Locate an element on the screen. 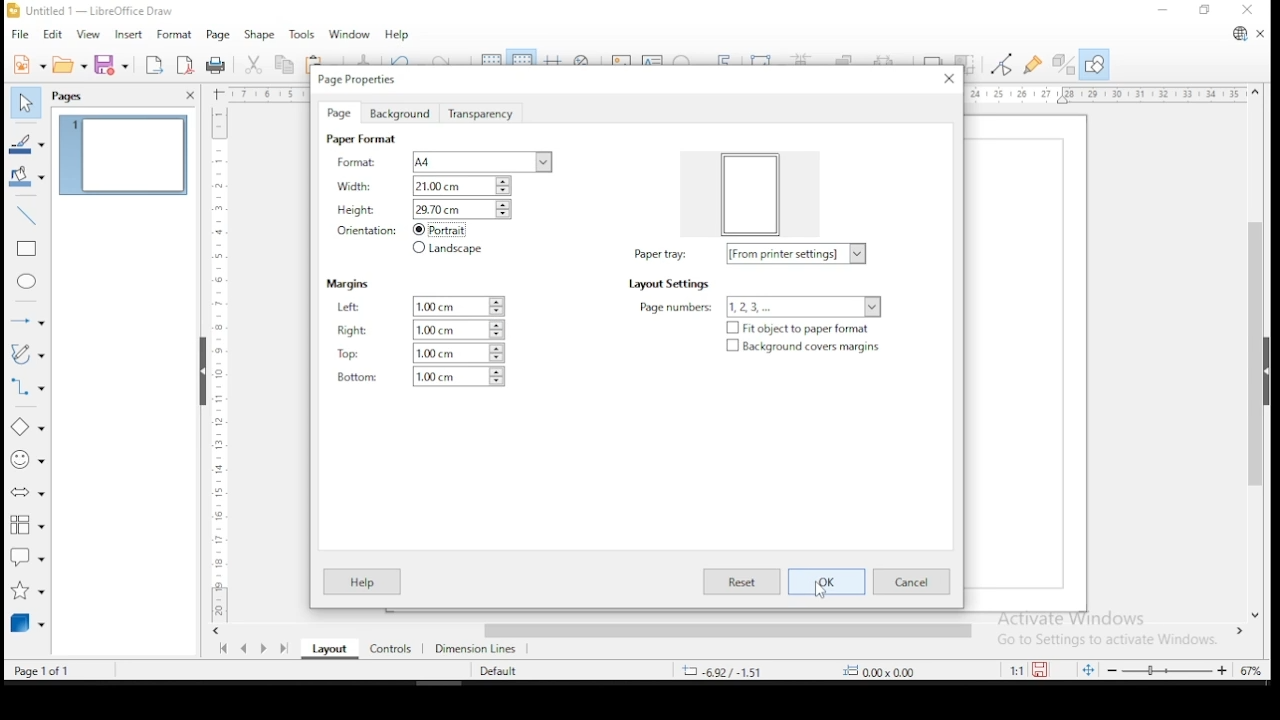  align objects is located at coordinates (806, 59).